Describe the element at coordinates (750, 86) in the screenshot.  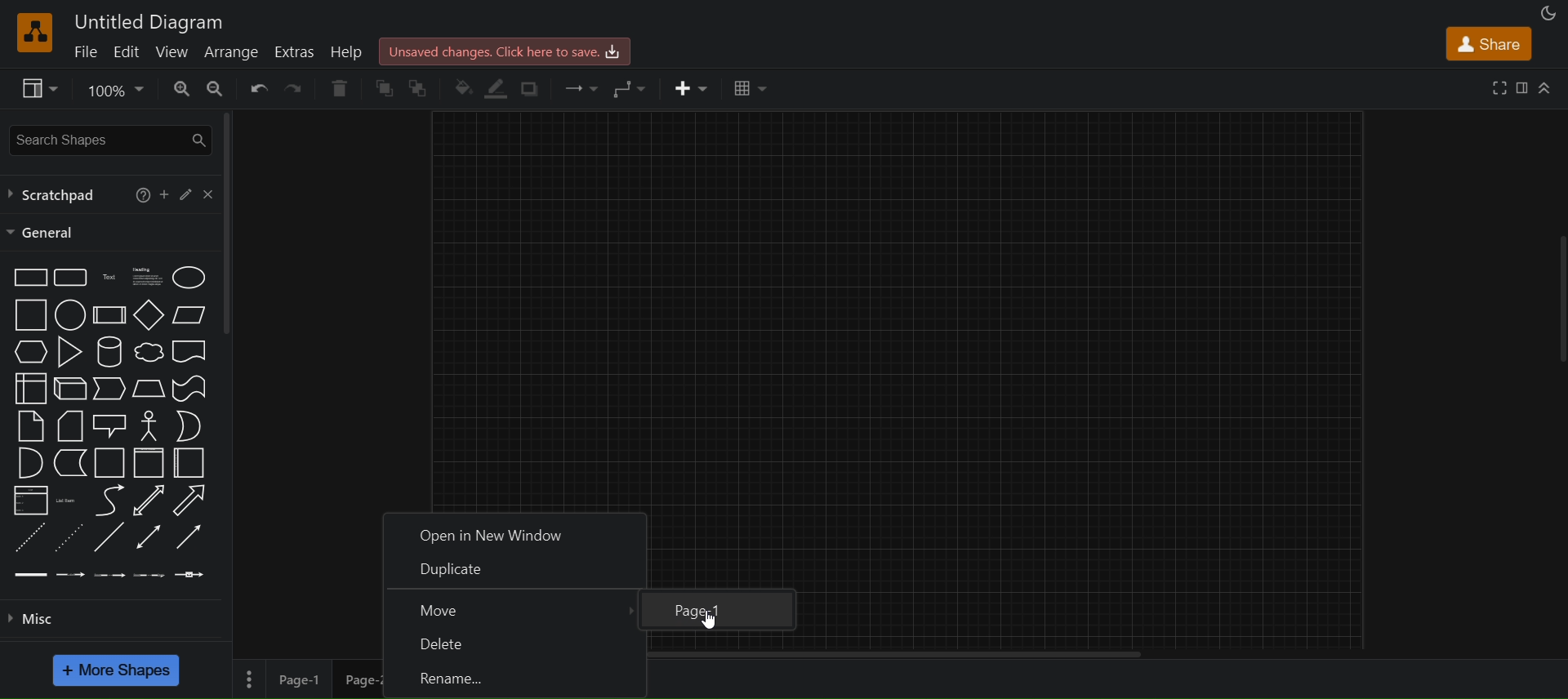
I see `table` at that location.